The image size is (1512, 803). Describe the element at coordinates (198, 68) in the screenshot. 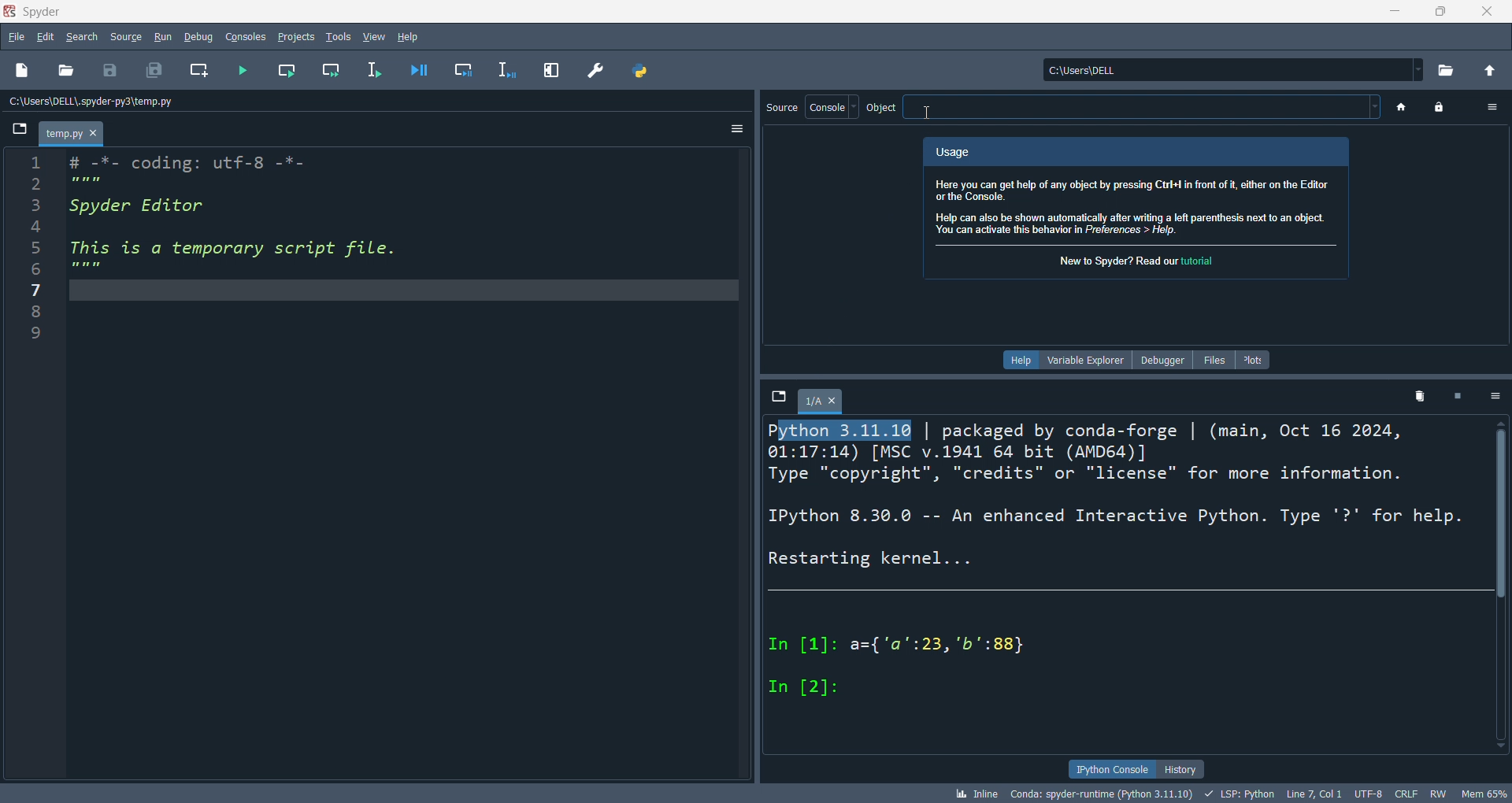

I see `new cel` at that location.